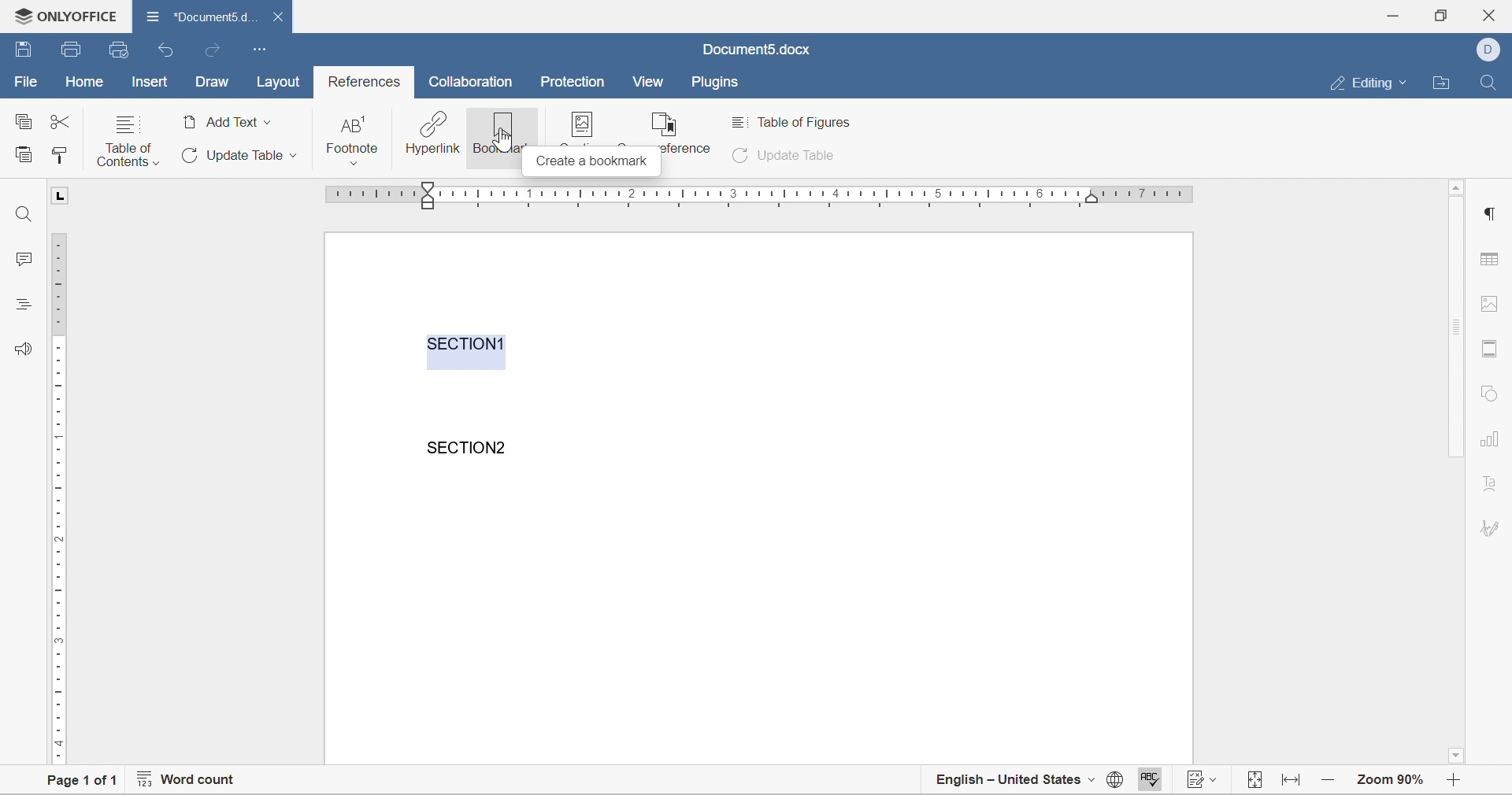 The height and width of the screenshot is (795, 1512). What do you see at coordinates (60, 121) in the screenshot?
I see `cut` at bounding box center [60, 121].